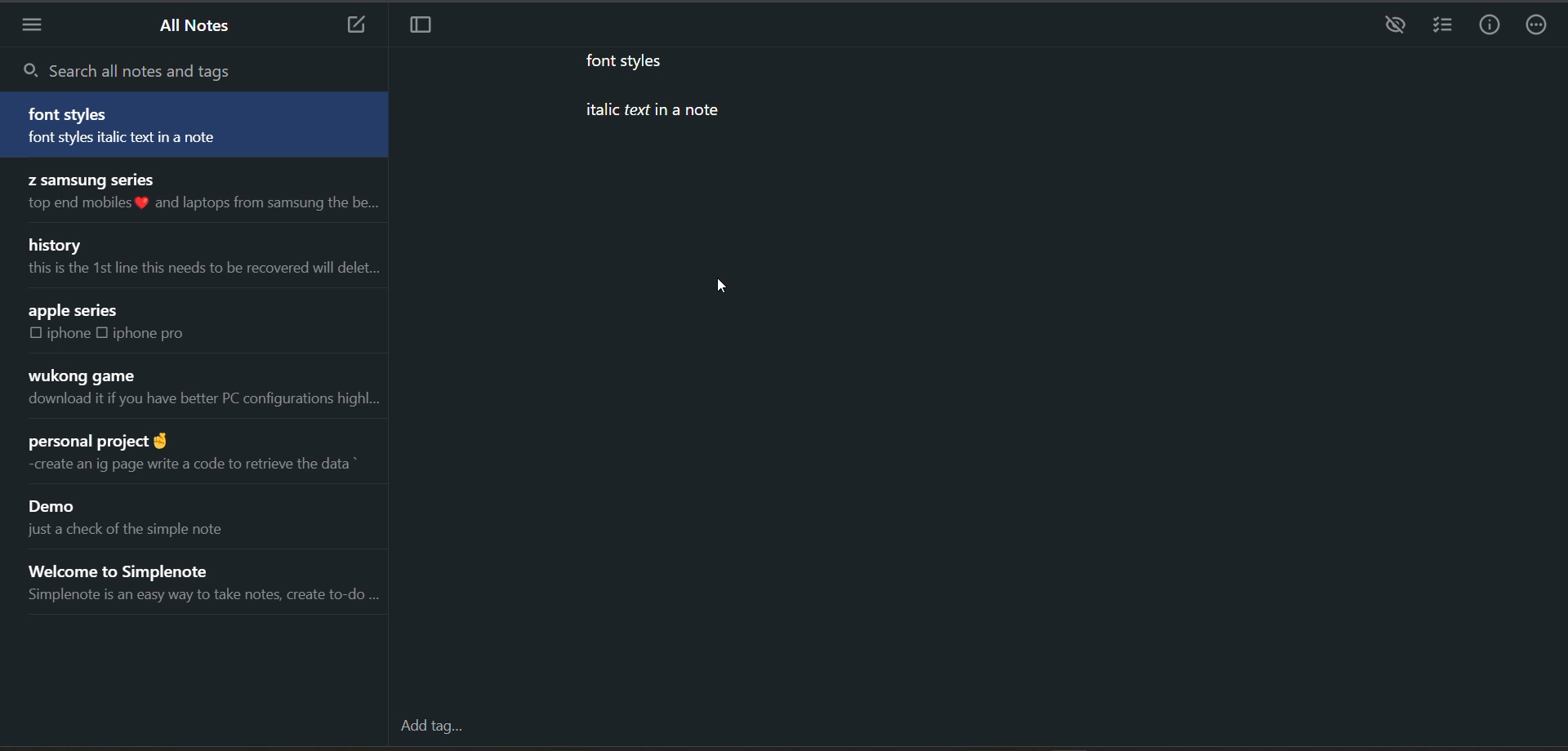  What do you see at coordinates (195, 124) in the screenshot?
I see `note title and preview` at bounding box center [195, 124].